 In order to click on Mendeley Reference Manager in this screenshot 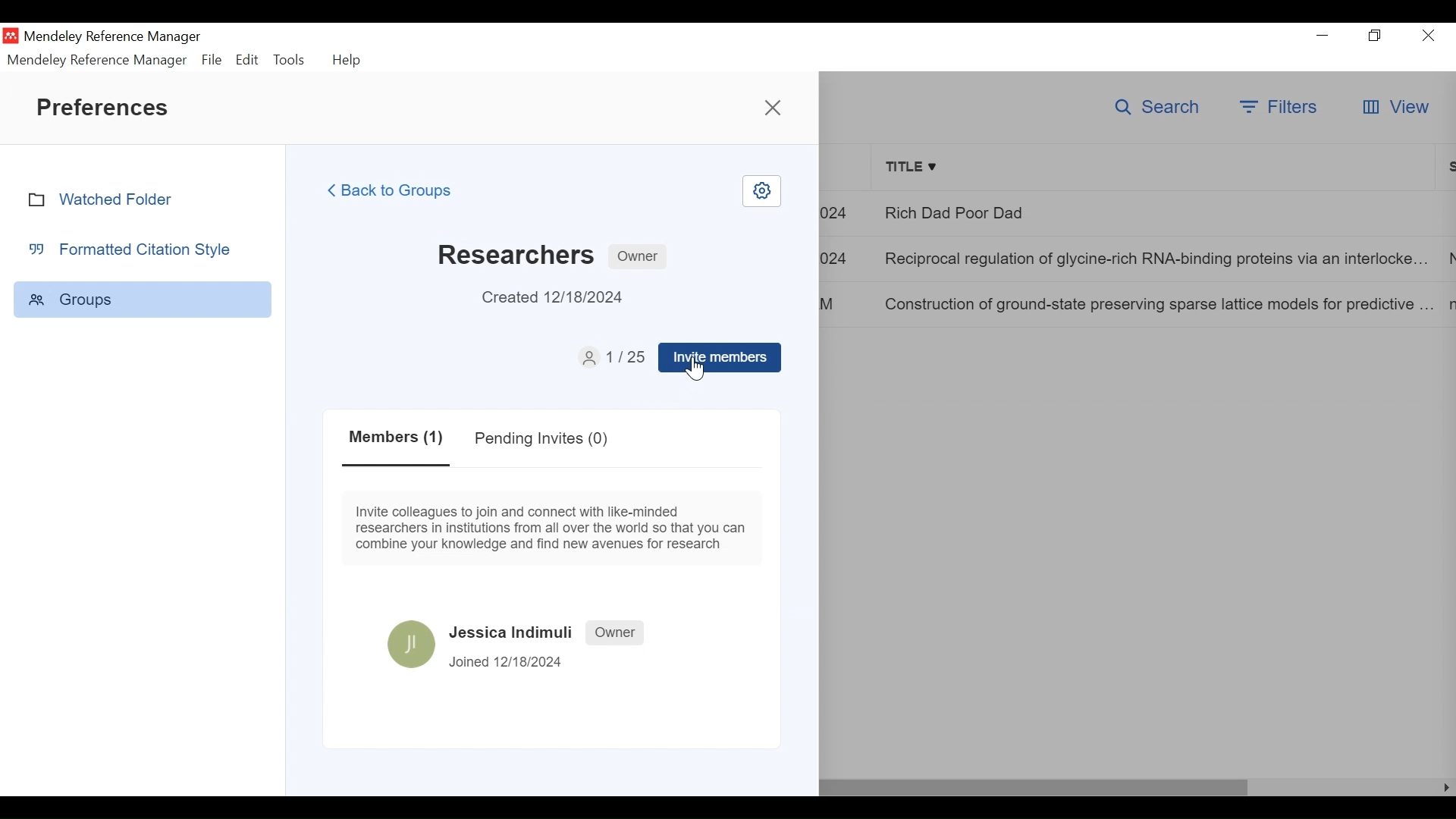, I will do `click(98, 60)`.